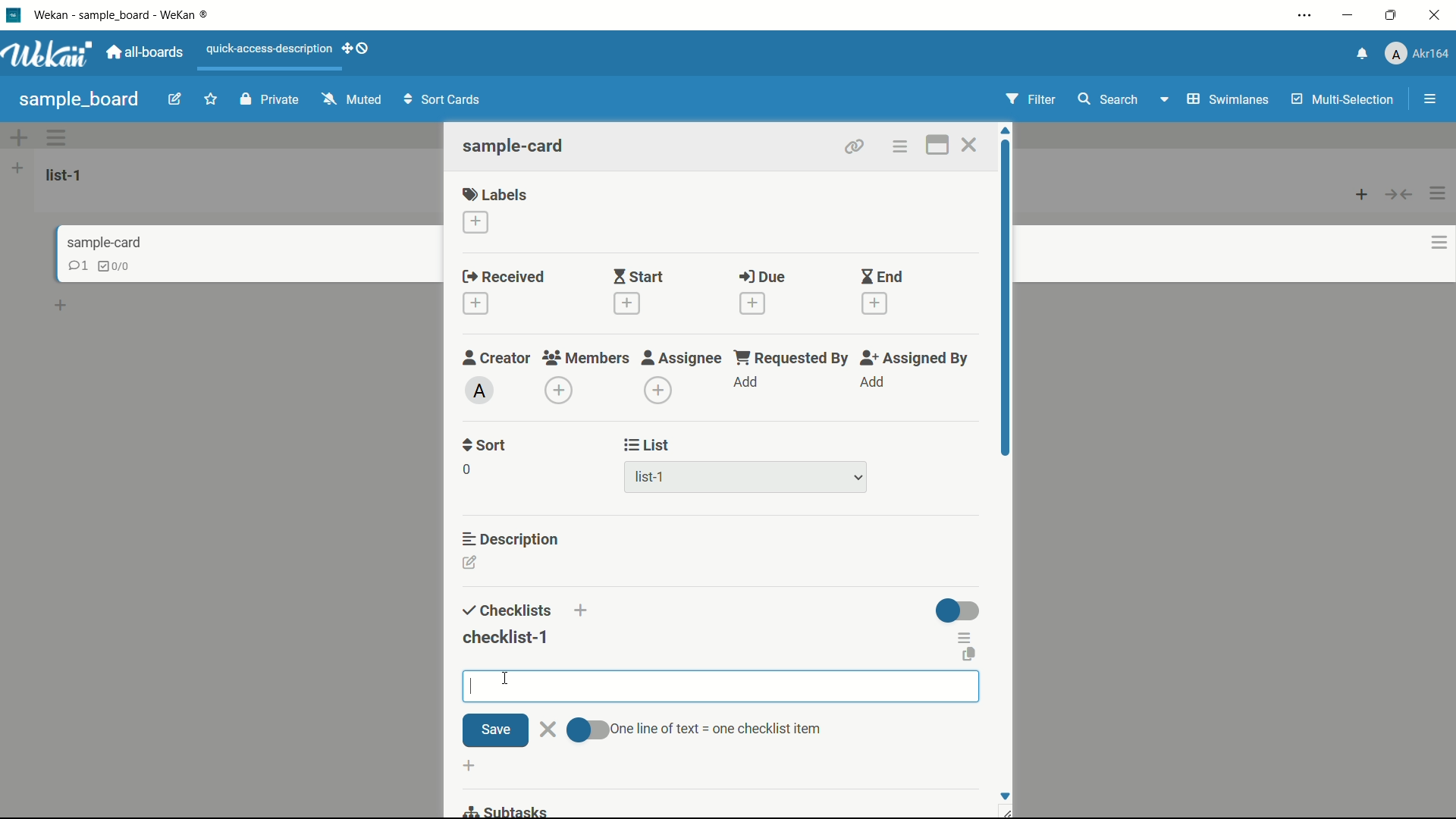  What do you see at coordinates (267, 49) in the screenshot?
I see `quick-access-description` at bounding box center [267, 49].